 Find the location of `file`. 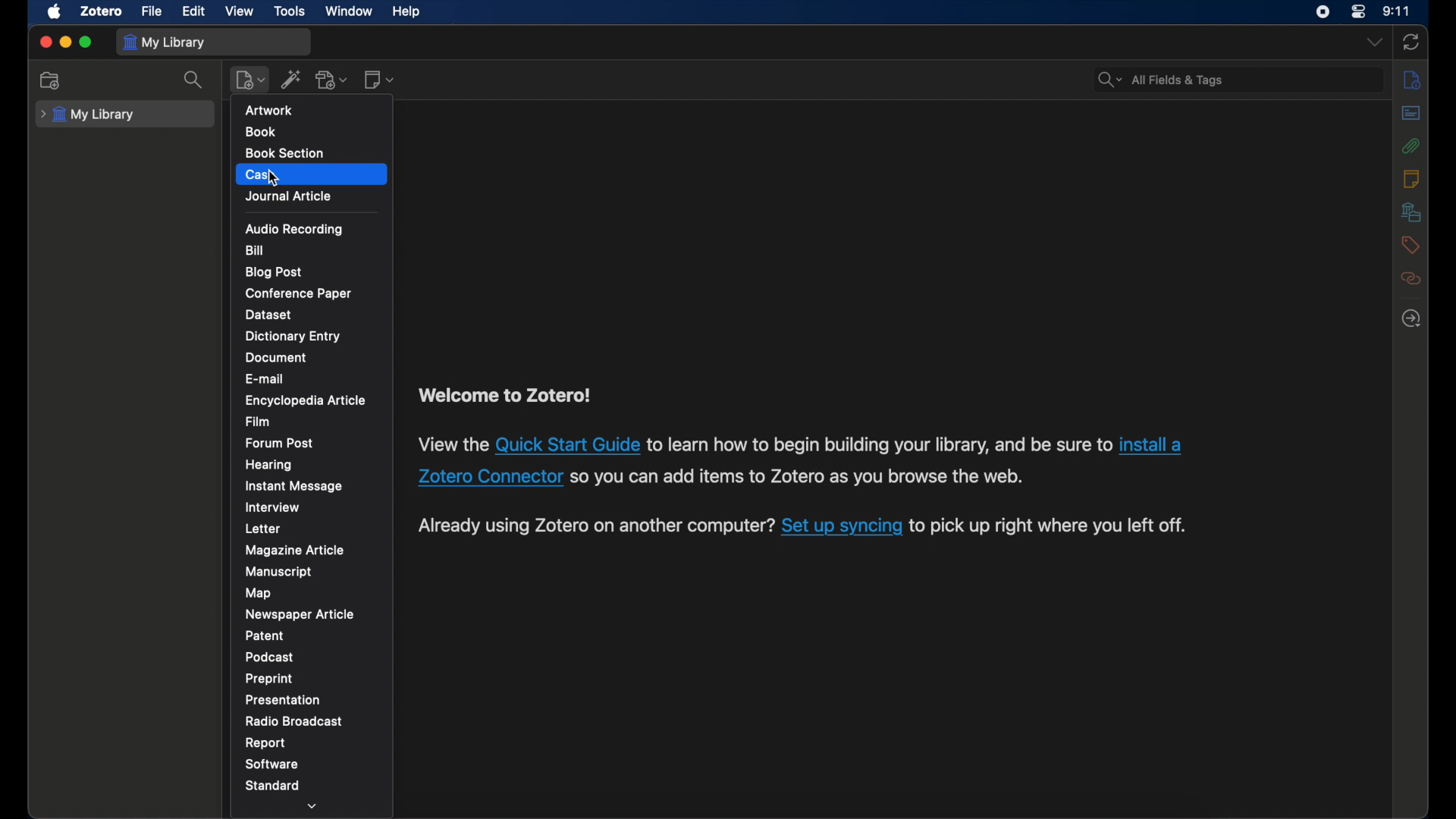

file is located at coordinates (152, 12).